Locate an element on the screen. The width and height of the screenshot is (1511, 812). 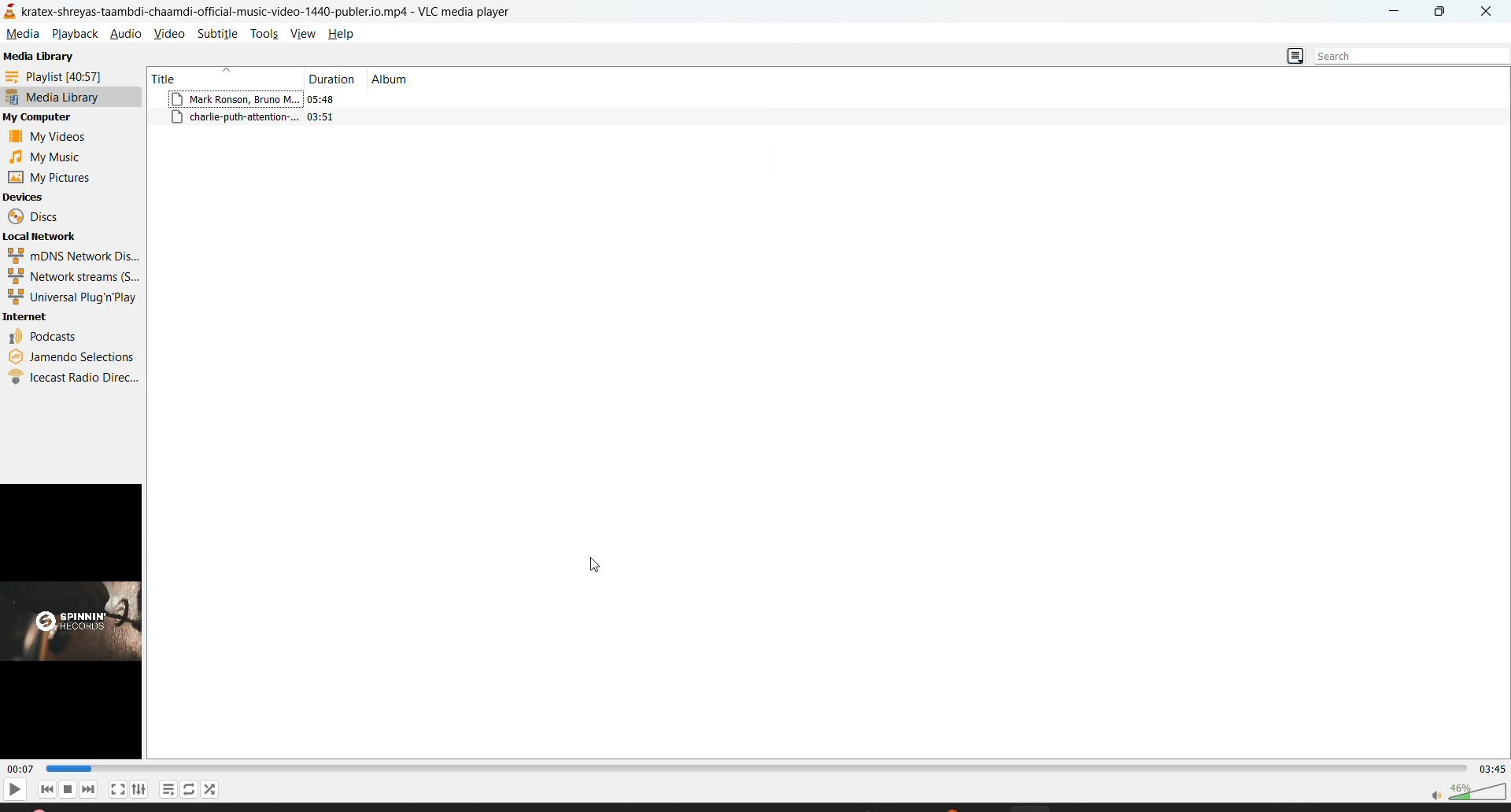
local network is located at coordinates (49, 238).